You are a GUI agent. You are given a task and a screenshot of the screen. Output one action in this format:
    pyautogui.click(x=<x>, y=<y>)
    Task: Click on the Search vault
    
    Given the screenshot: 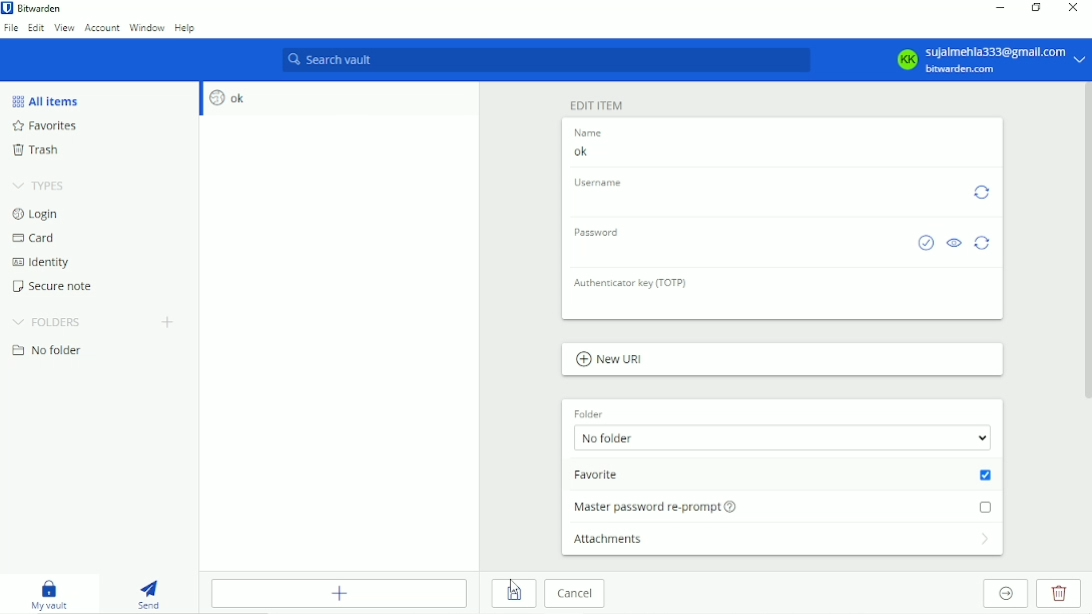 What is the action you would take?
    pyautogui.click(x=543, y=61)
    